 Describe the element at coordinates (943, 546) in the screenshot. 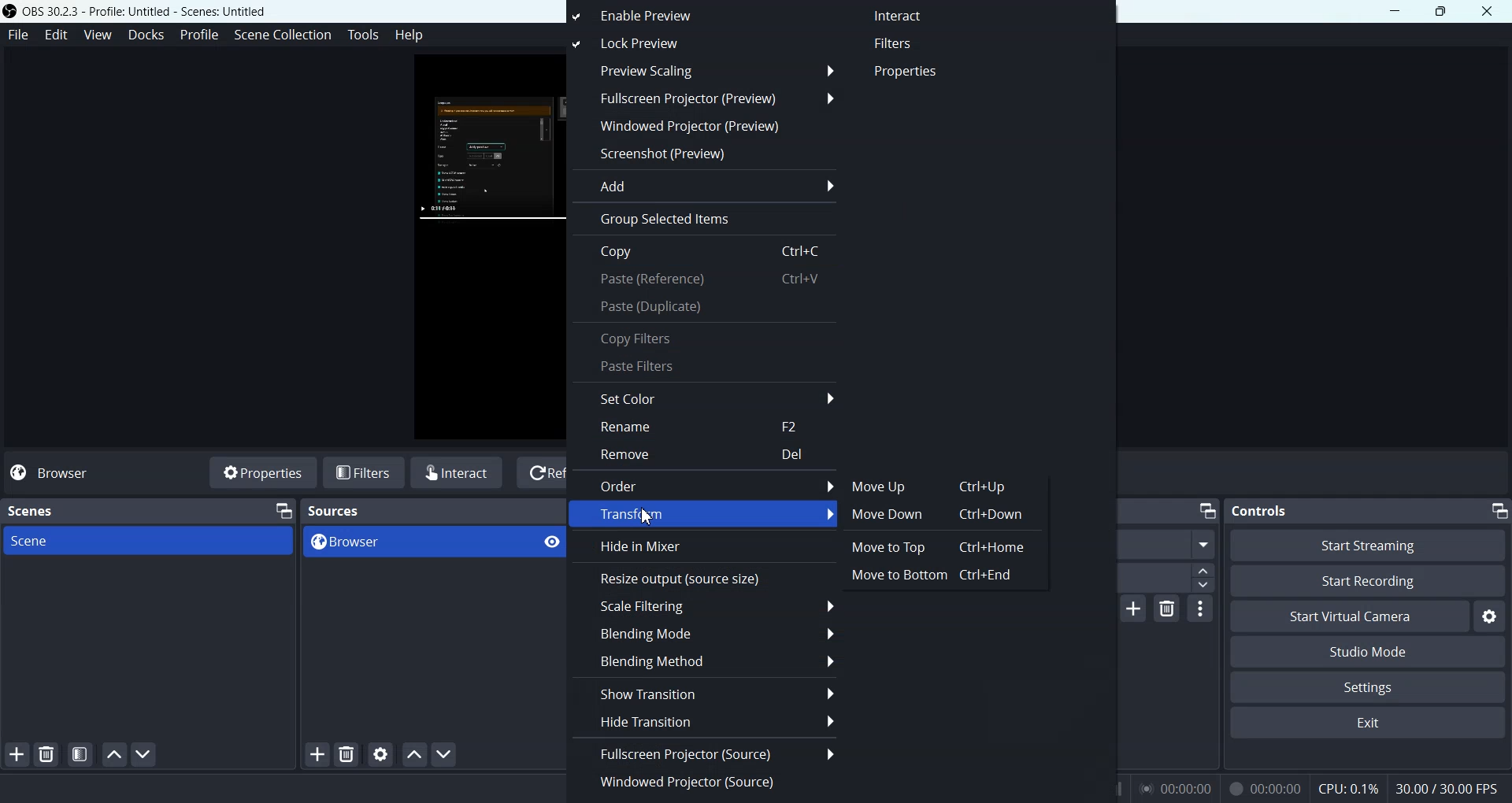

I see `Move to Top` at that location.